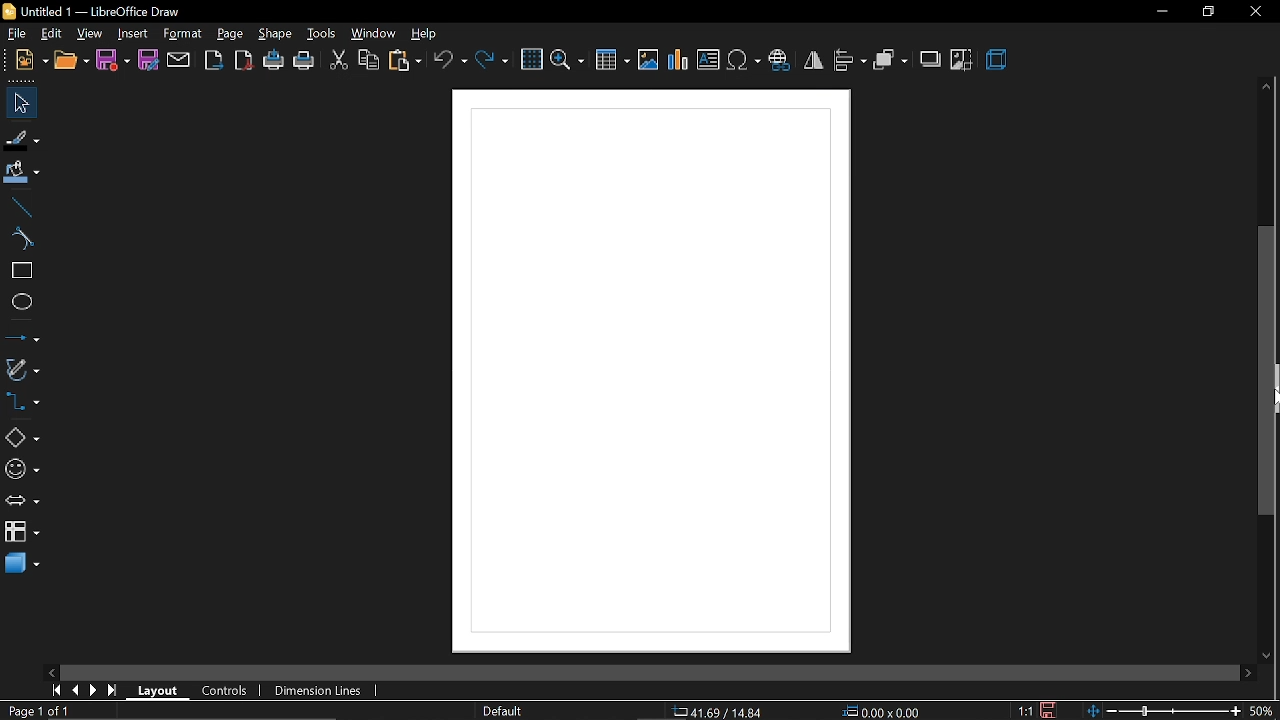  Describe the element at coordinates (369, 60) in the screenshot. I see `copy` at that location.